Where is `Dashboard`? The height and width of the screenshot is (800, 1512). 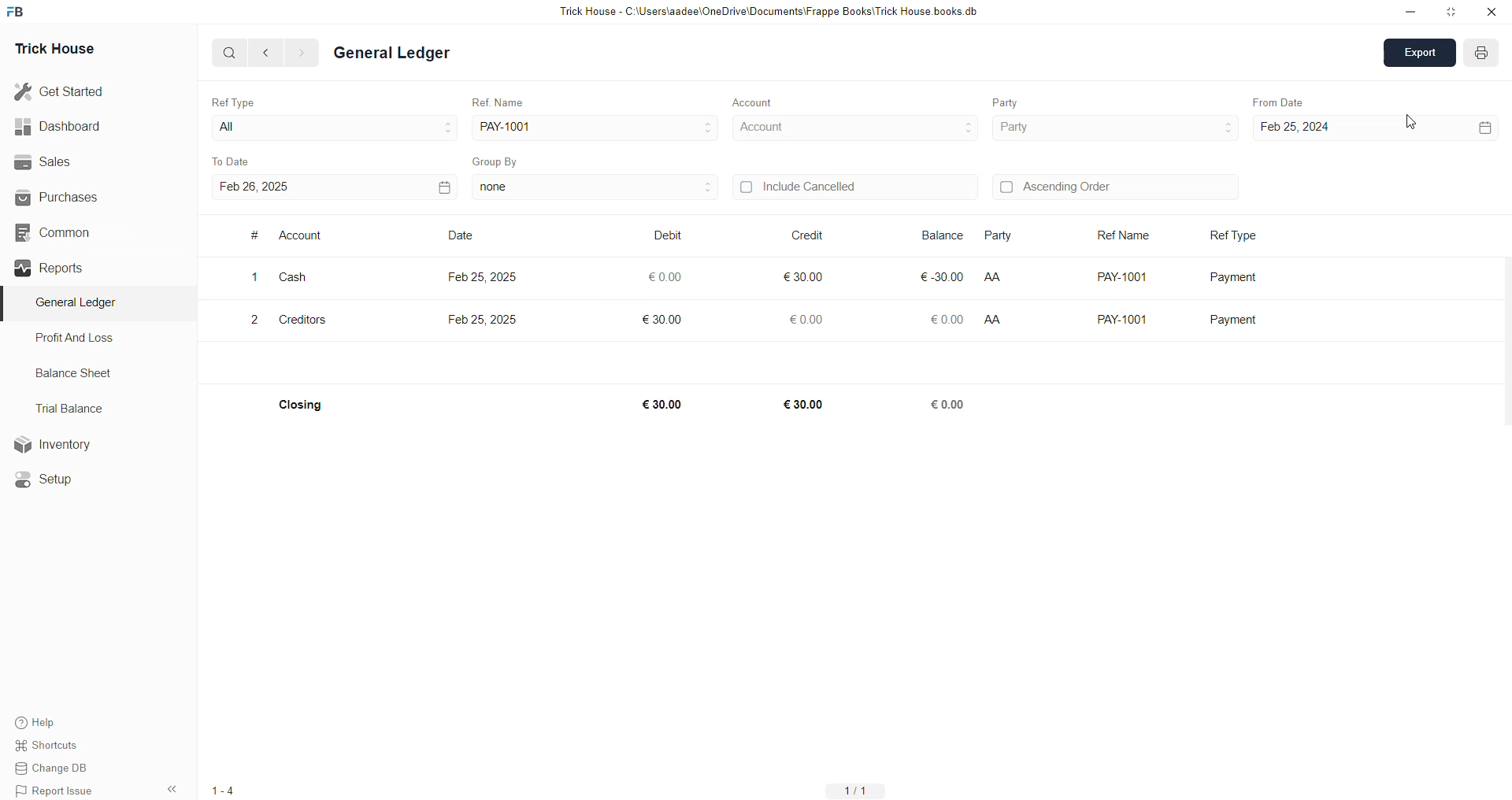
Dashboard is located at coordinates (61, 126).